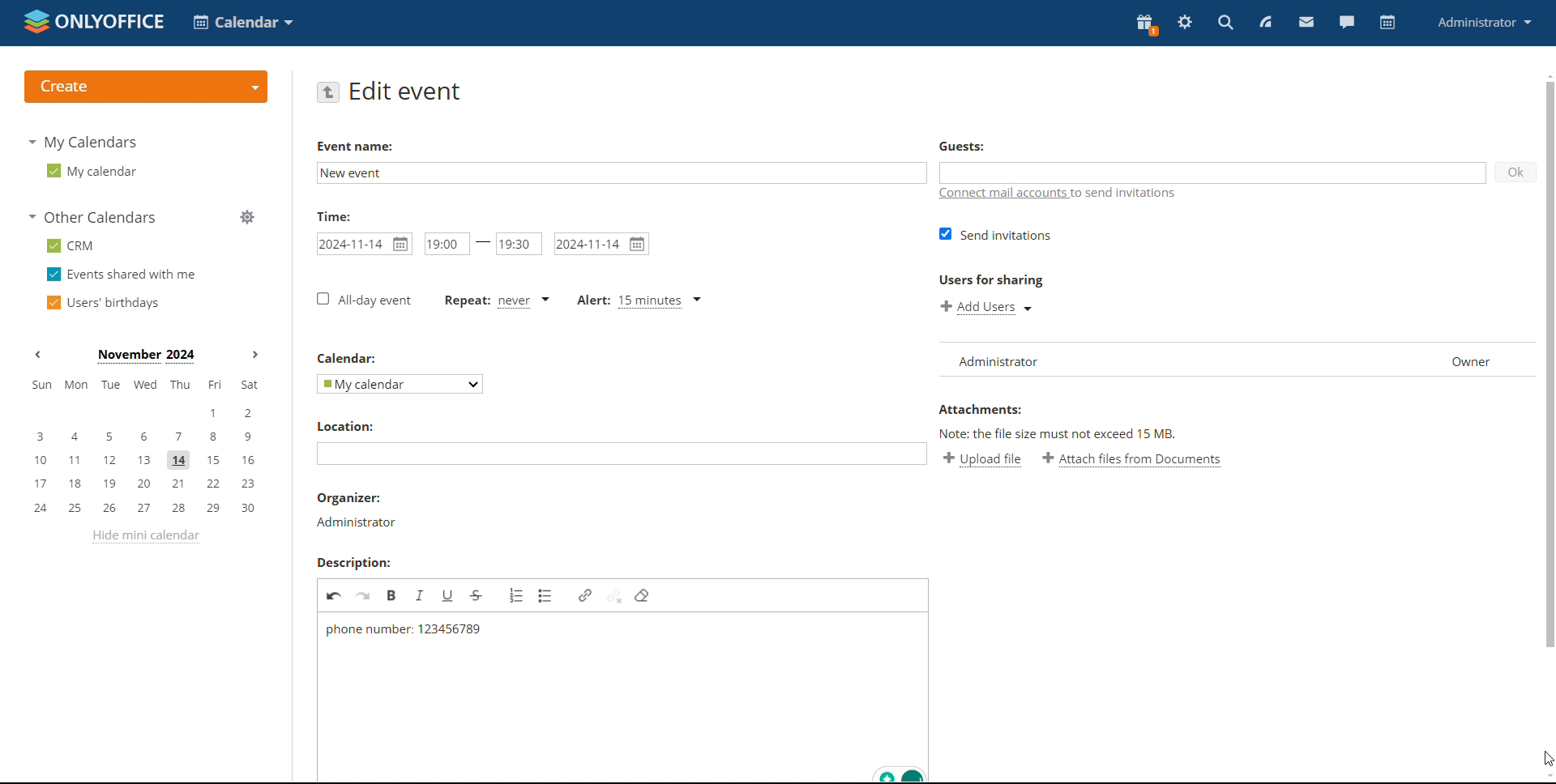  Describe the element at coordinates (1213, 171) in the screenshot. I see `add guests` at that location.